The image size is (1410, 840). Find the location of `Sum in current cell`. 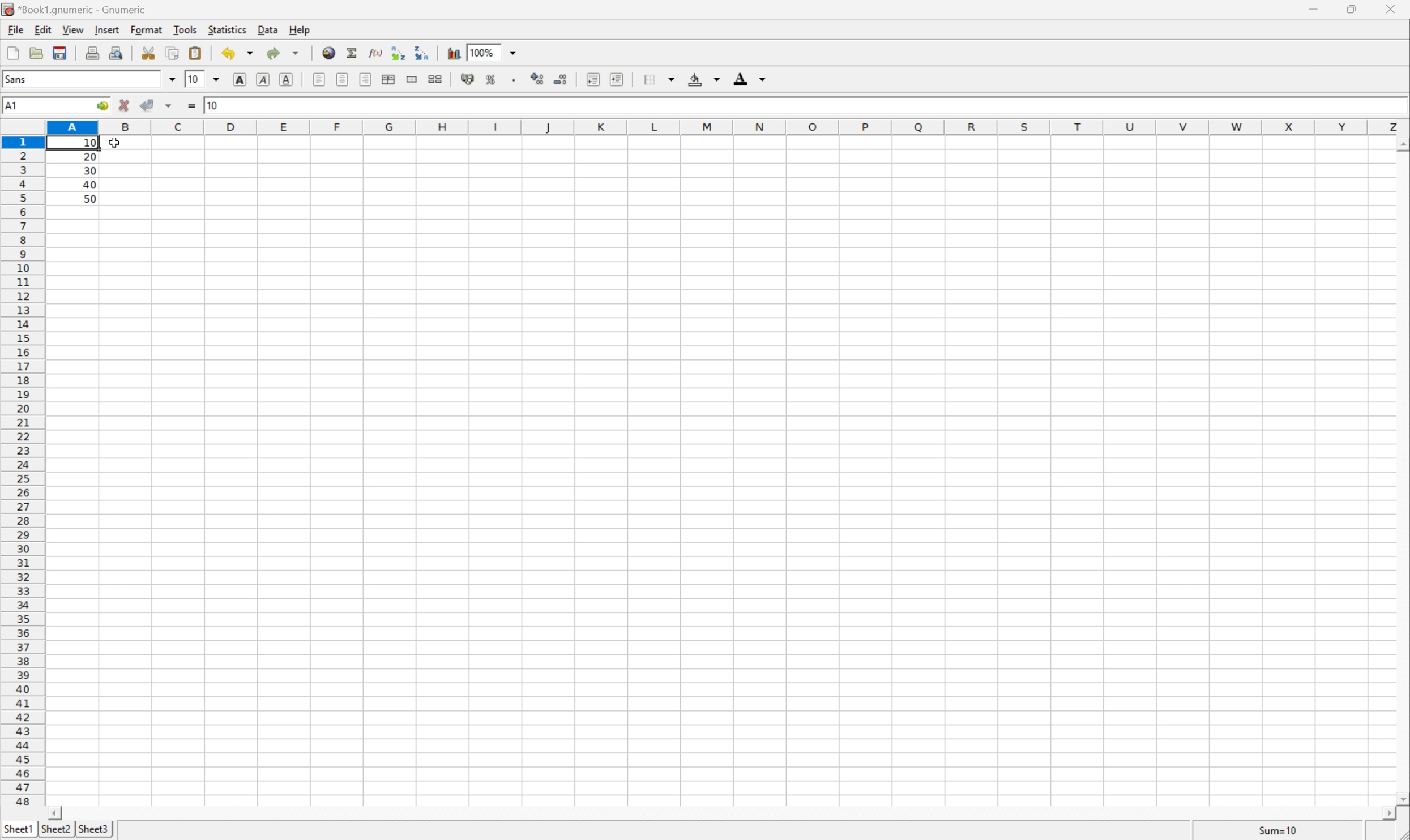

Sum in current cell is located at coordinates (353, 52).